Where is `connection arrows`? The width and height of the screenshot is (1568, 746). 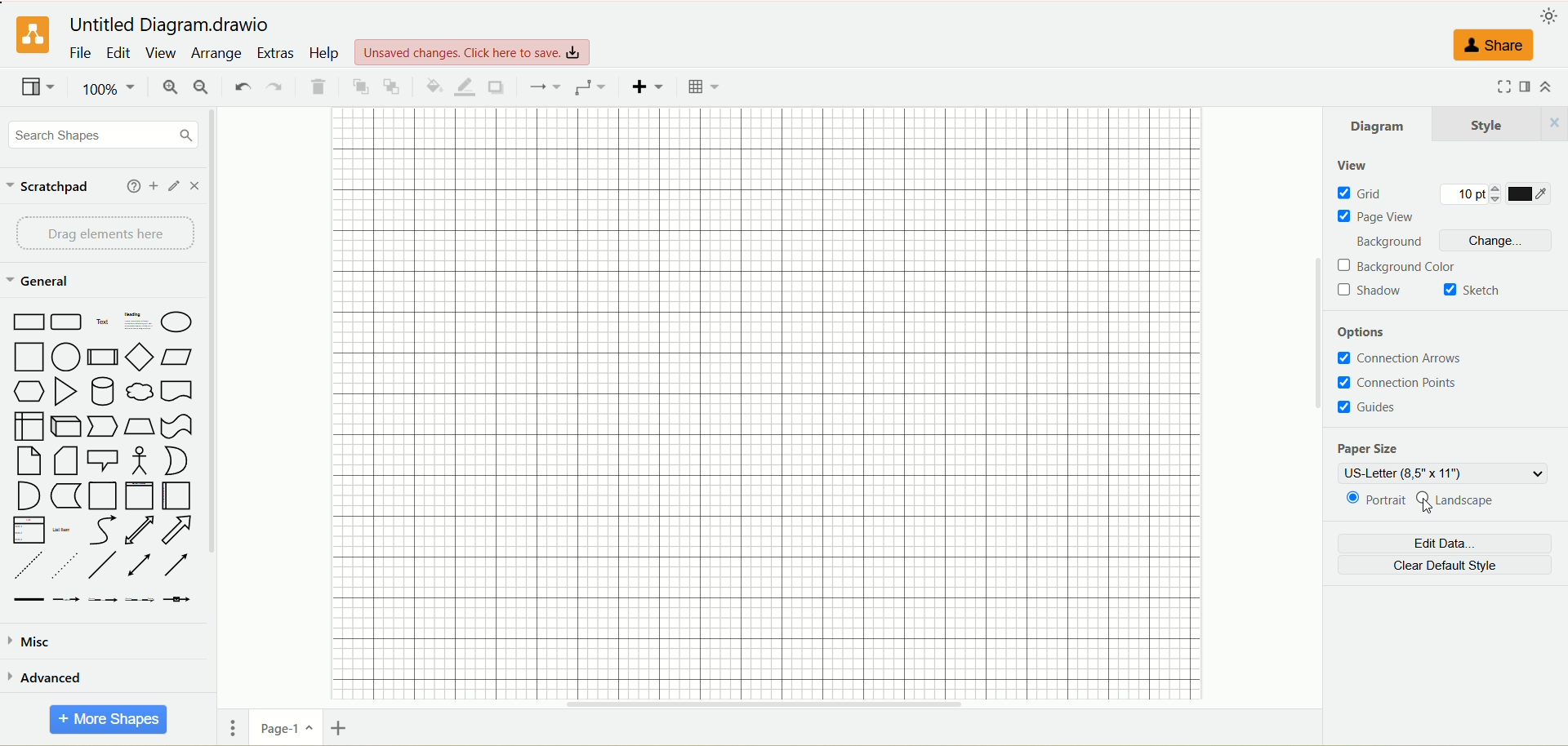
connection arrows is located at coordinates (1403, 357).